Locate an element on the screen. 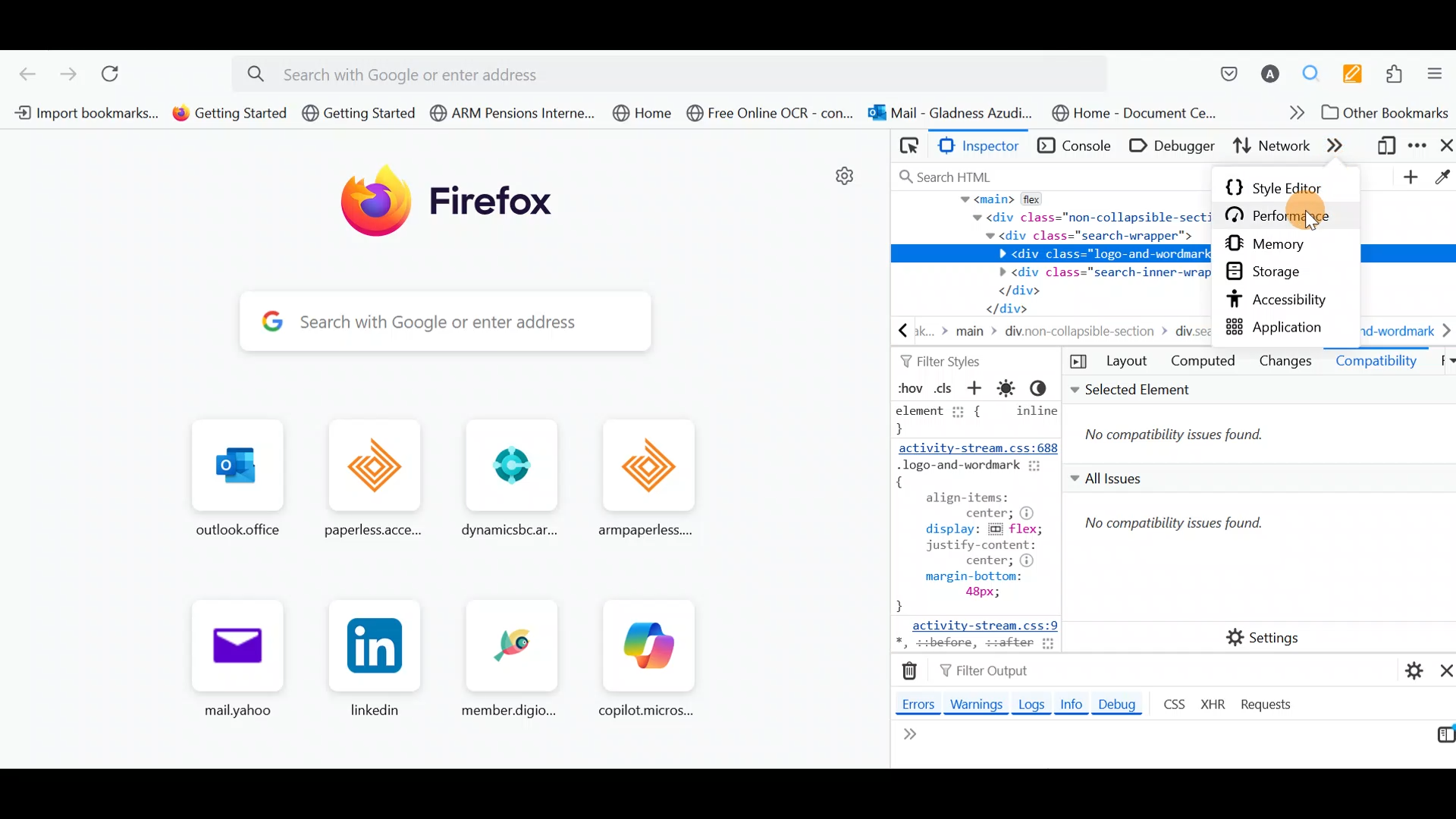  Search bar is located at coordinates (677, 71).